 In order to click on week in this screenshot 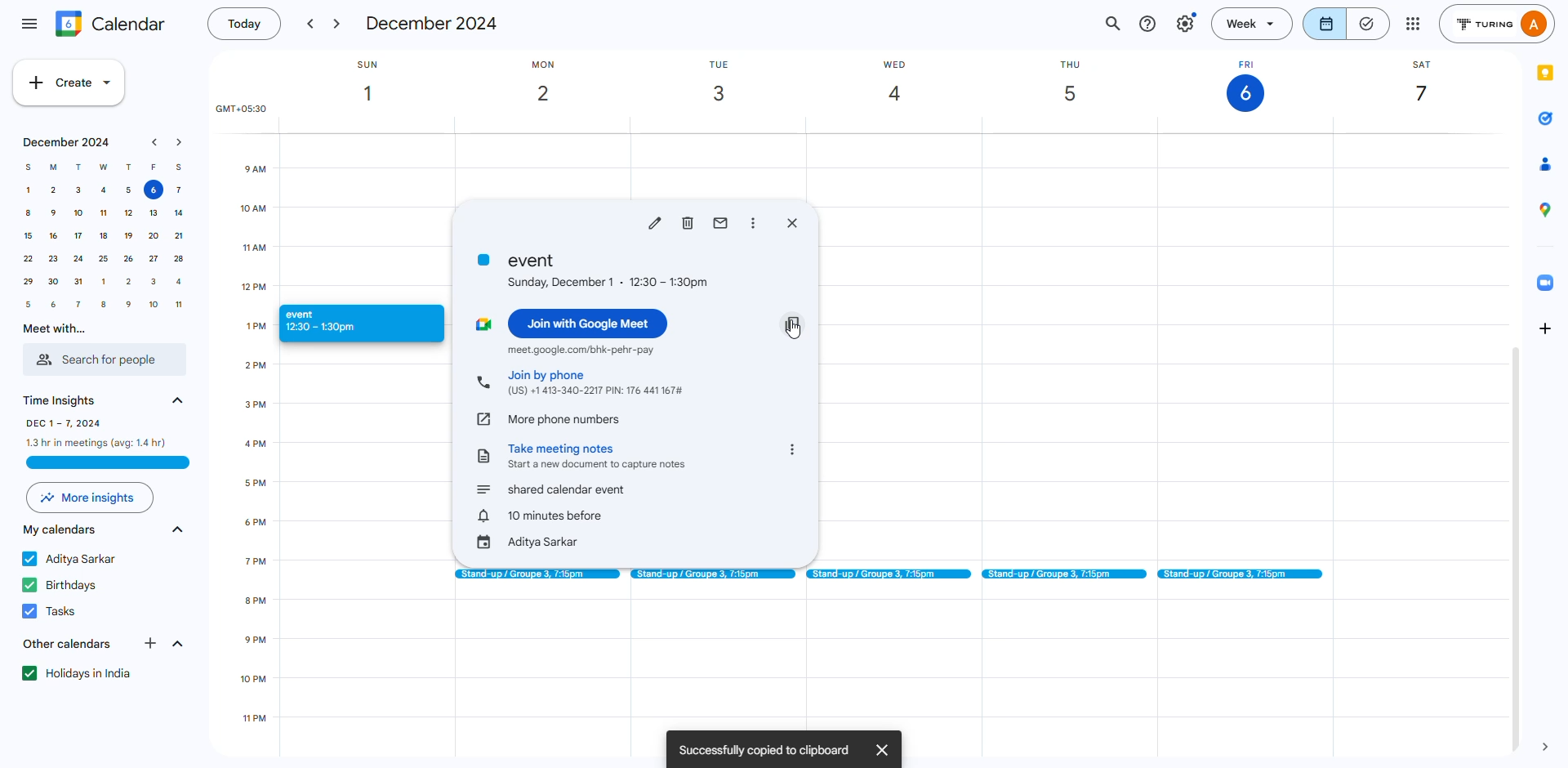, I will do `click(1254, 23)`.